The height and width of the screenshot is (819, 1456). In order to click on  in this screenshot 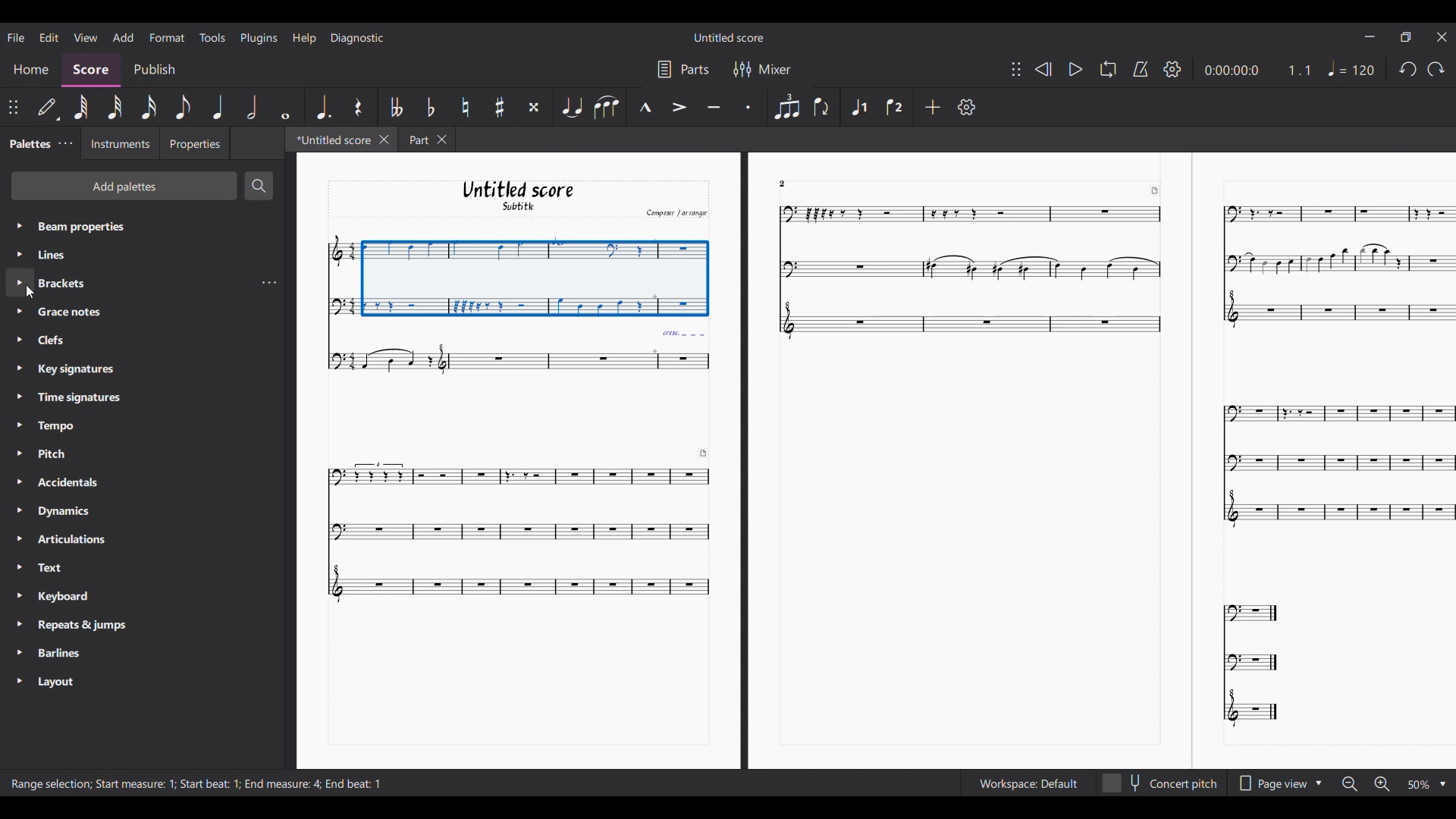, I will do `click(17, 512)`.